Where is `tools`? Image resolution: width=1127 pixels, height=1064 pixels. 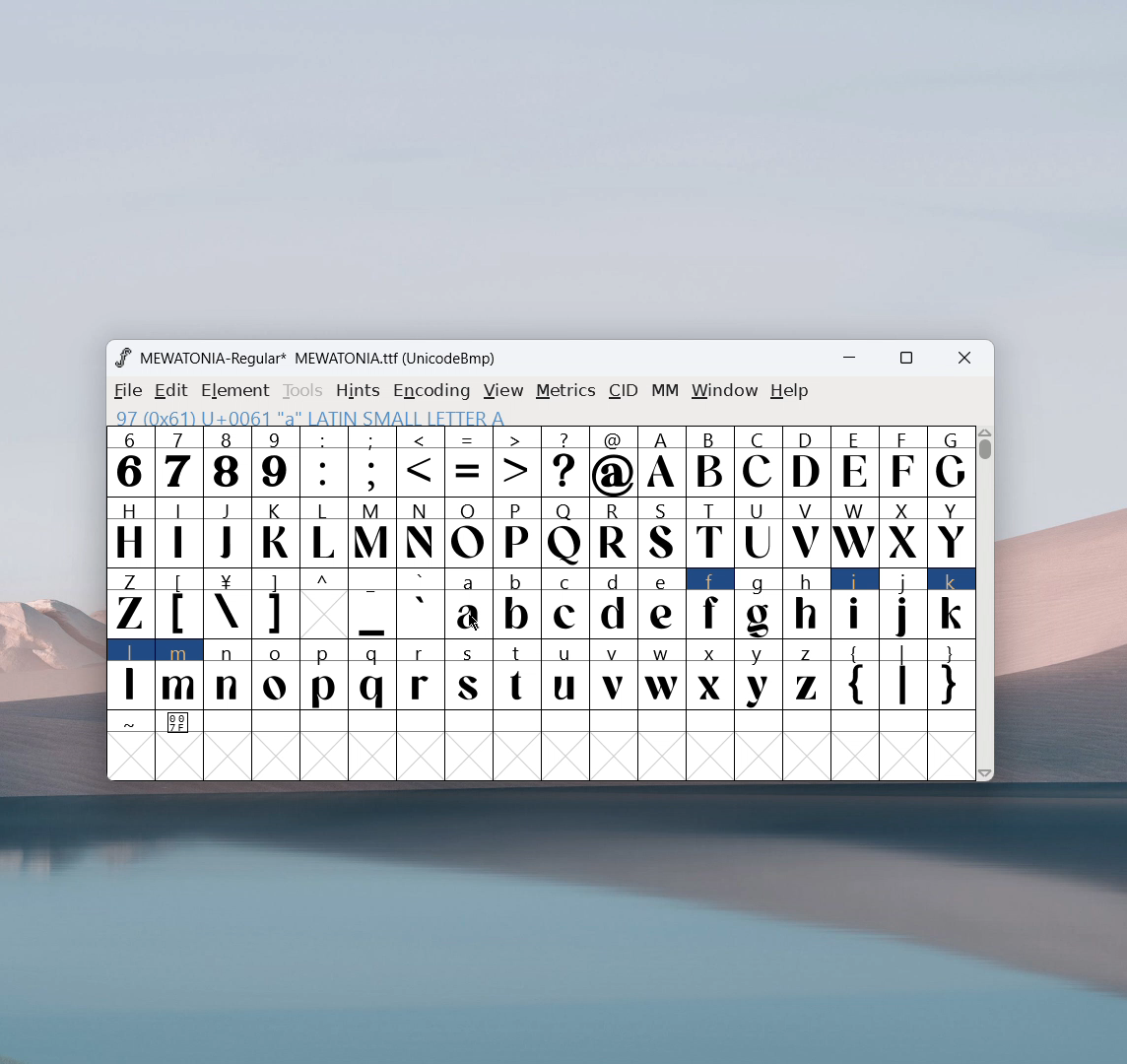 tools is located at coordinates (303, 391).